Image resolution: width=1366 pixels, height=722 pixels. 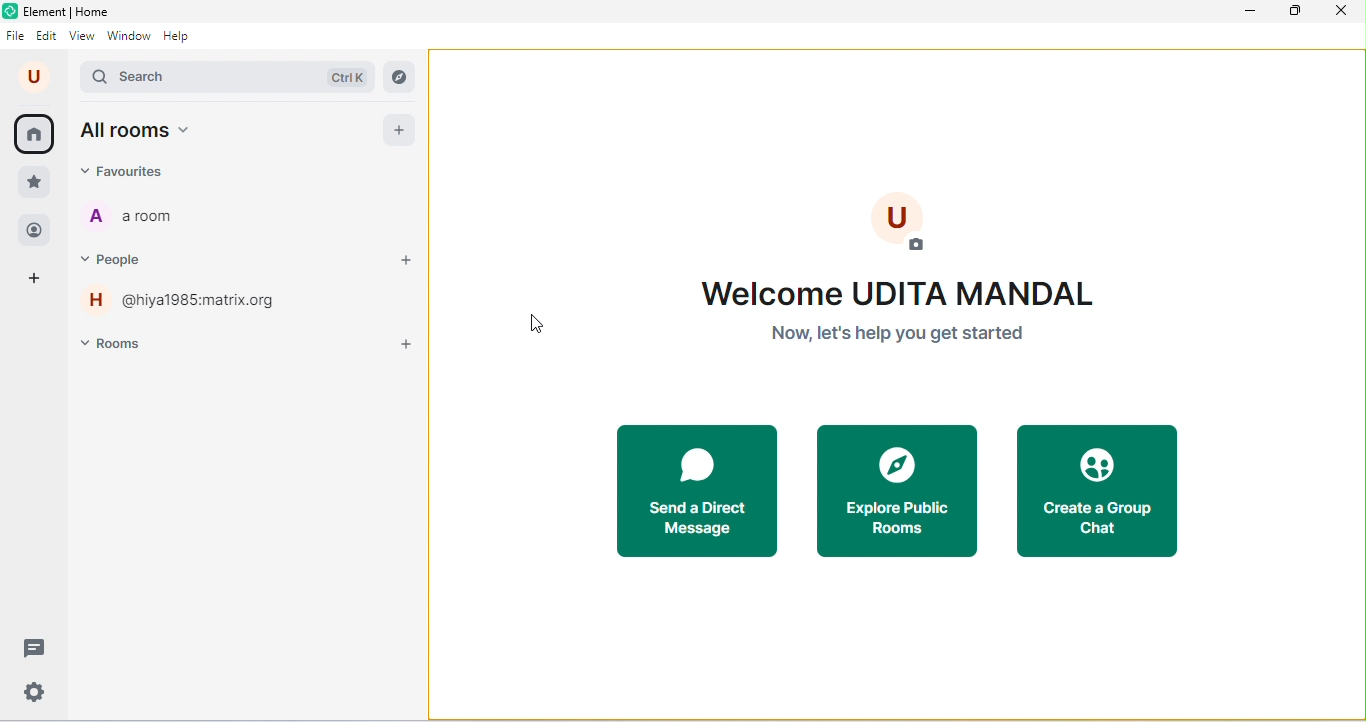 What do you see at coordinates (399, 77) in the screenshot?
I see `explore rooms` at bounding box center [399, 77].